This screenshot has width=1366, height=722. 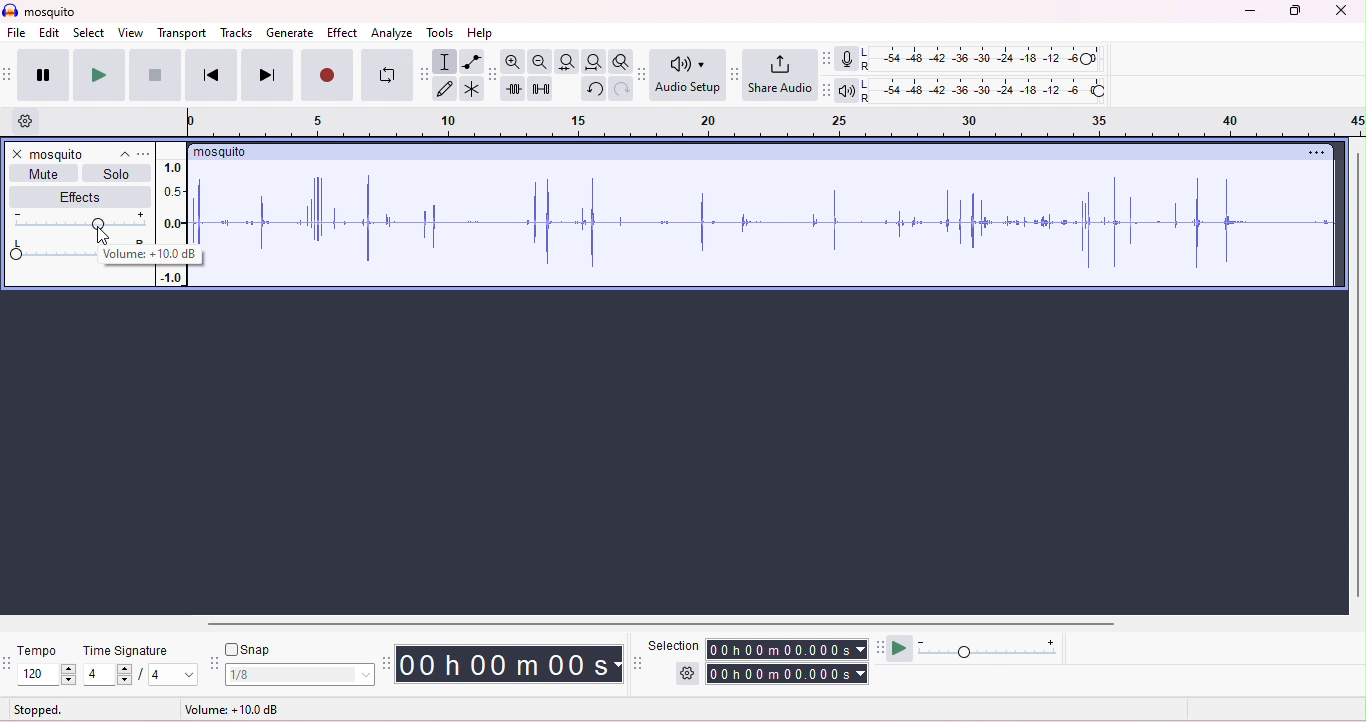 I want to click on draw, so click(x=447, y=89).